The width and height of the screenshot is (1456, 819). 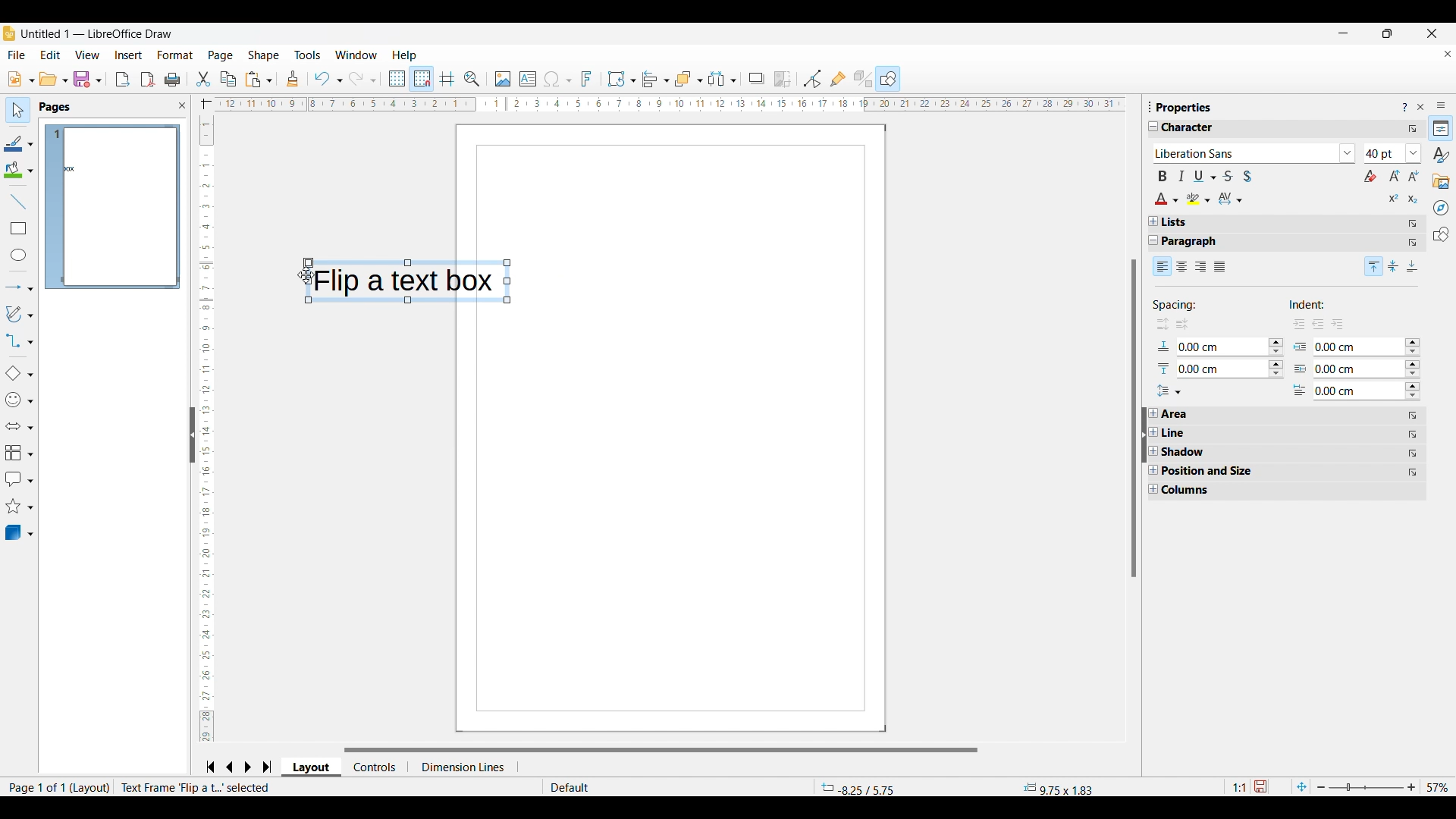 What do you see at coordinates (1395, 198) in the screenshot?
I see `Super script ` at bounding box center [1395, 198].